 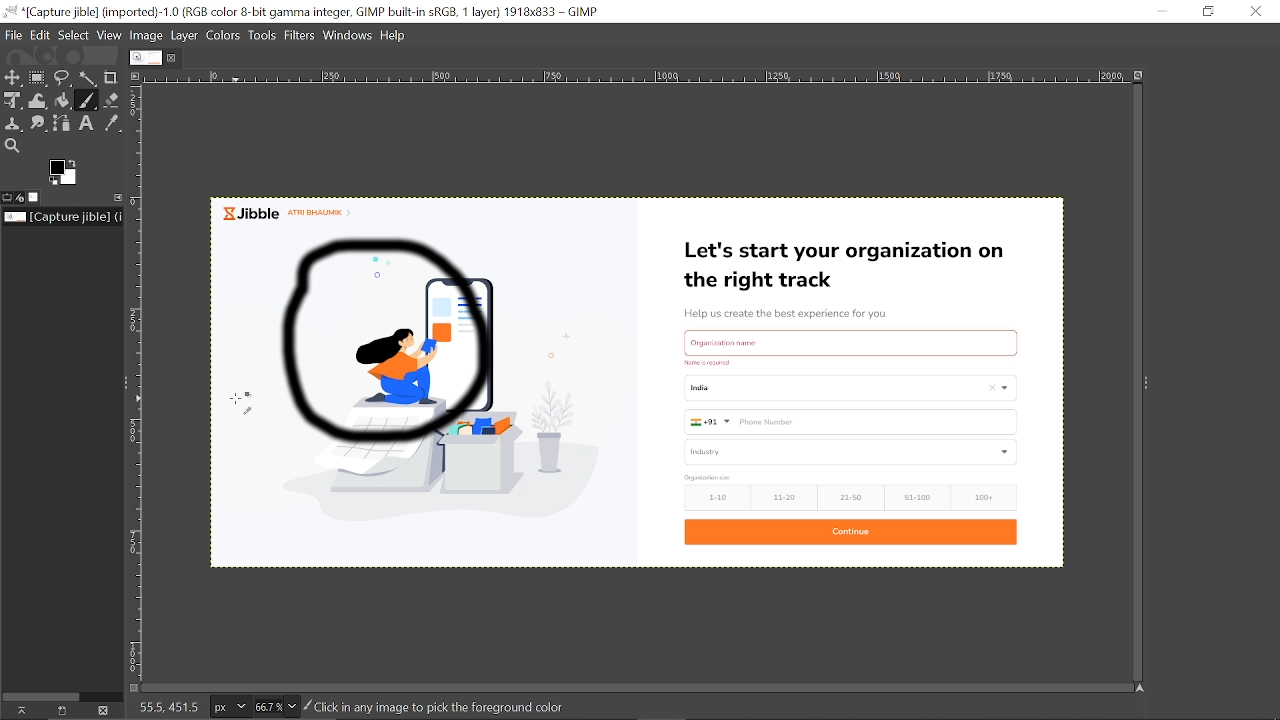 What do you see at coordinates (13, 77) in the screenshot?
I see `Move tool` at bounding box center [13, 77].